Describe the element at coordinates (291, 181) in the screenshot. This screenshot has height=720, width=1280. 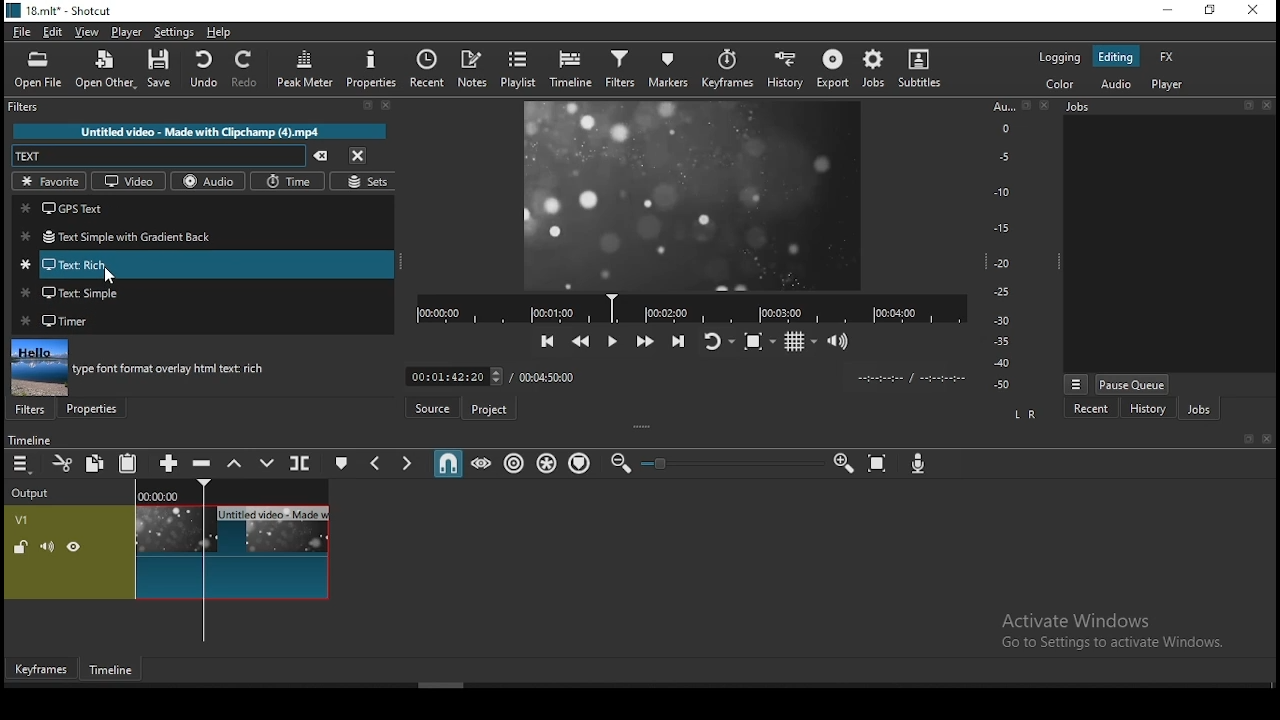
I see `time` at that location.